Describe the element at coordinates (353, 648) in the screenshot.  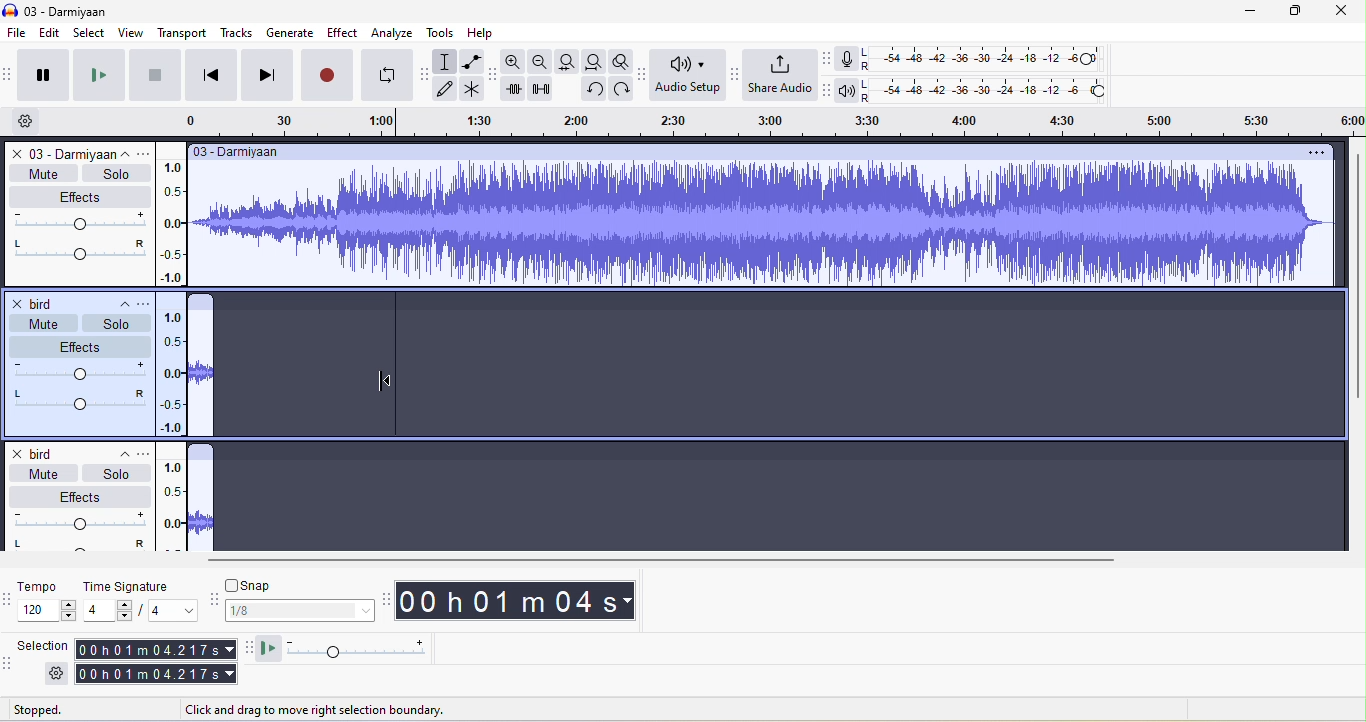
I see `play at speed` at that location.